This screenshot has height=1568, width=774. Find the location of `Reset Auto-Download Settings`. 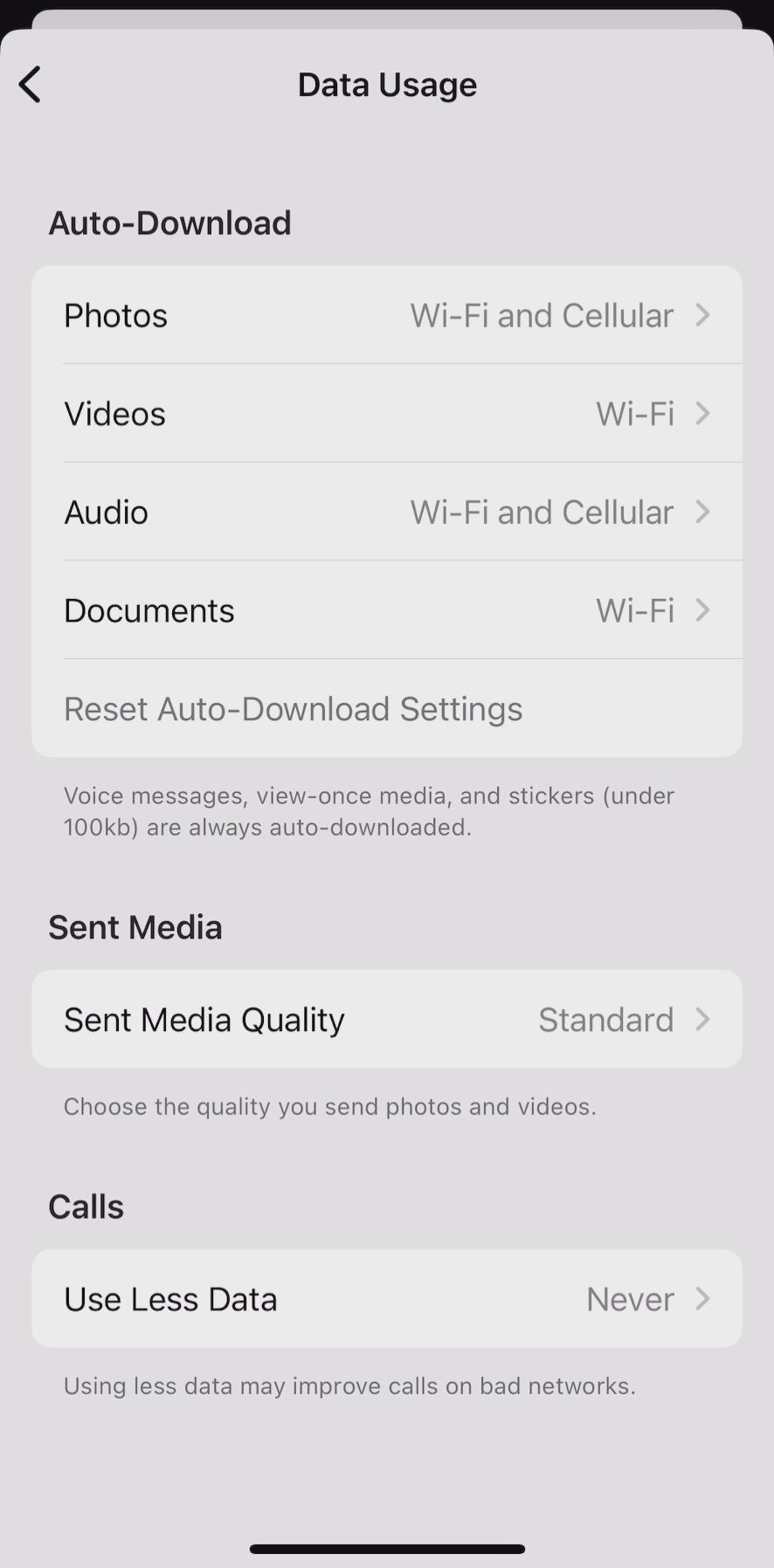

Reset Auto-Download Settings is located at coordinates (289, 712).